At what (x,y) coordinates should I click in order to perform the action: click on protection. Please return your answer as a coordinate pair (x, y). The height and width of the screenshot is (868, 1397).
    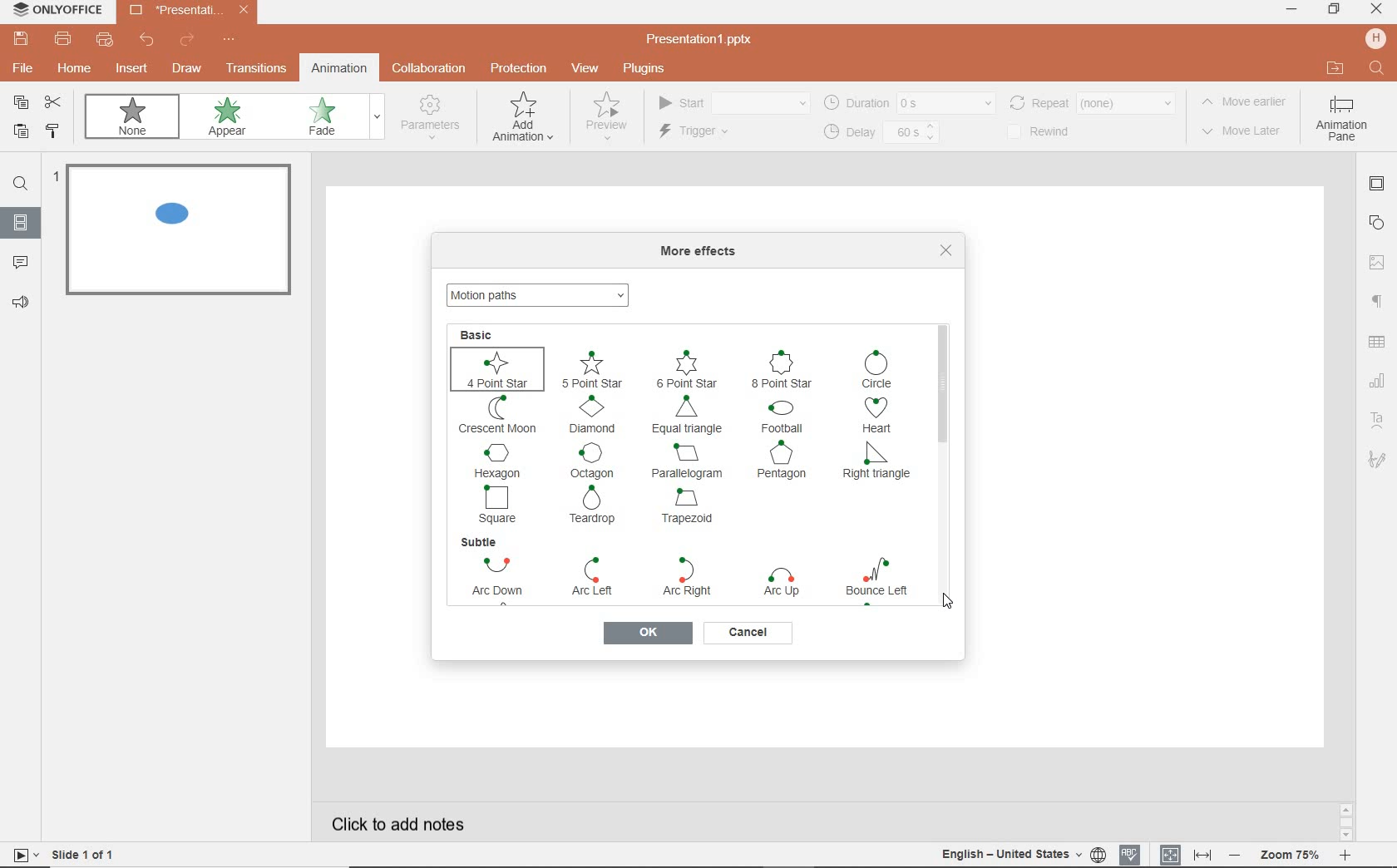
    Looking at the image, I should click on (517, 67).